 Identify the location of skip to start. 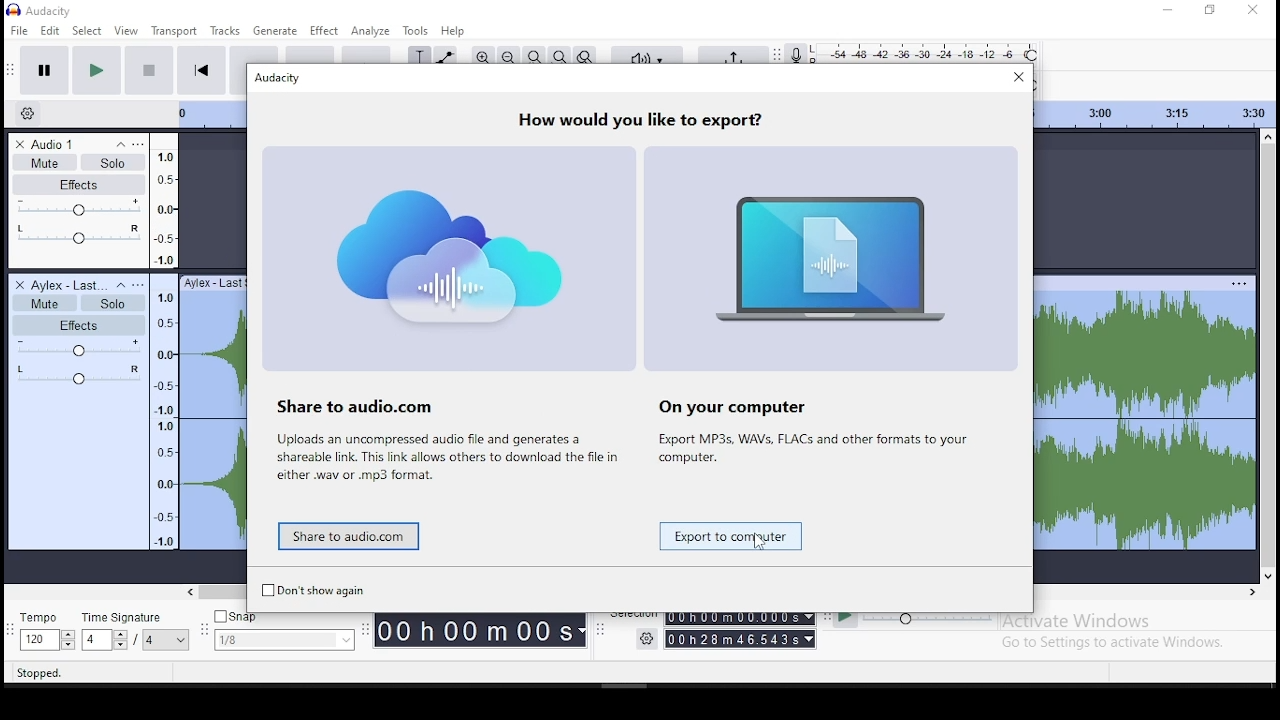
(201, 70).